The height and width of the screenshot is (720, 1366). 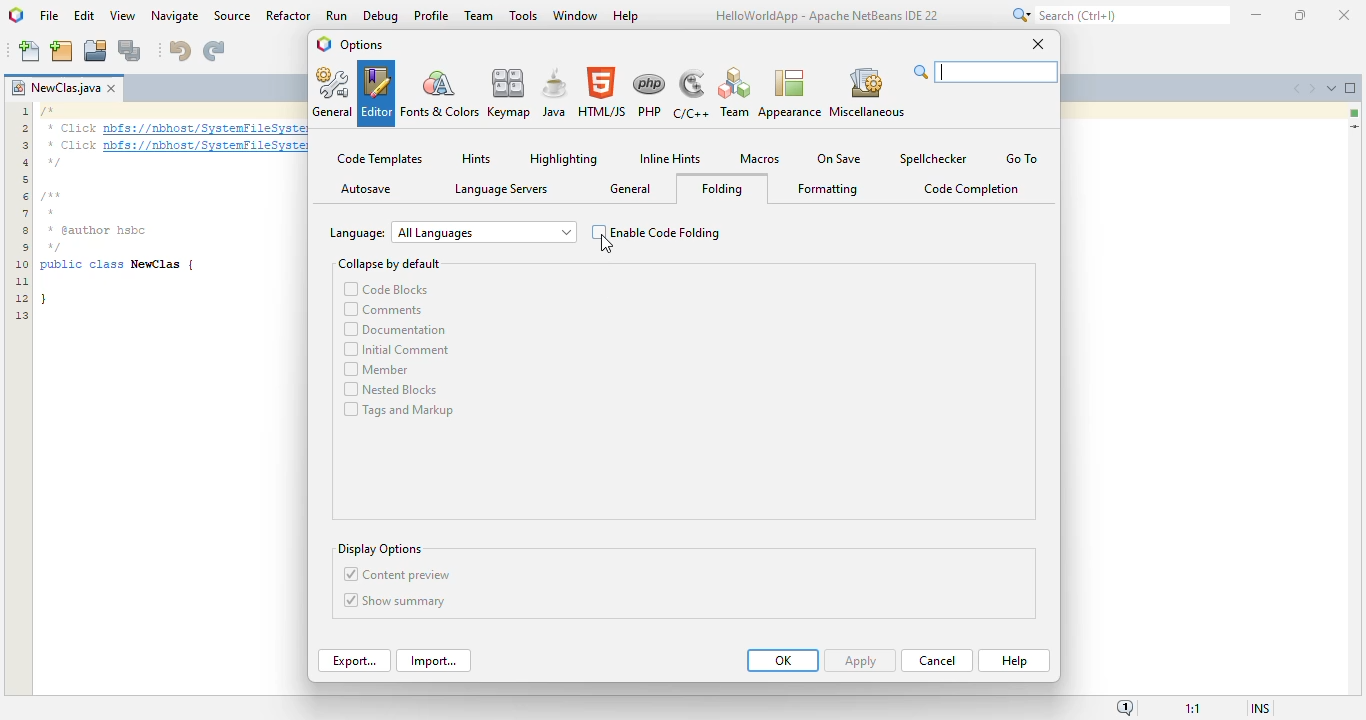 I want to click on highlighting, so click(x=564, y=159).